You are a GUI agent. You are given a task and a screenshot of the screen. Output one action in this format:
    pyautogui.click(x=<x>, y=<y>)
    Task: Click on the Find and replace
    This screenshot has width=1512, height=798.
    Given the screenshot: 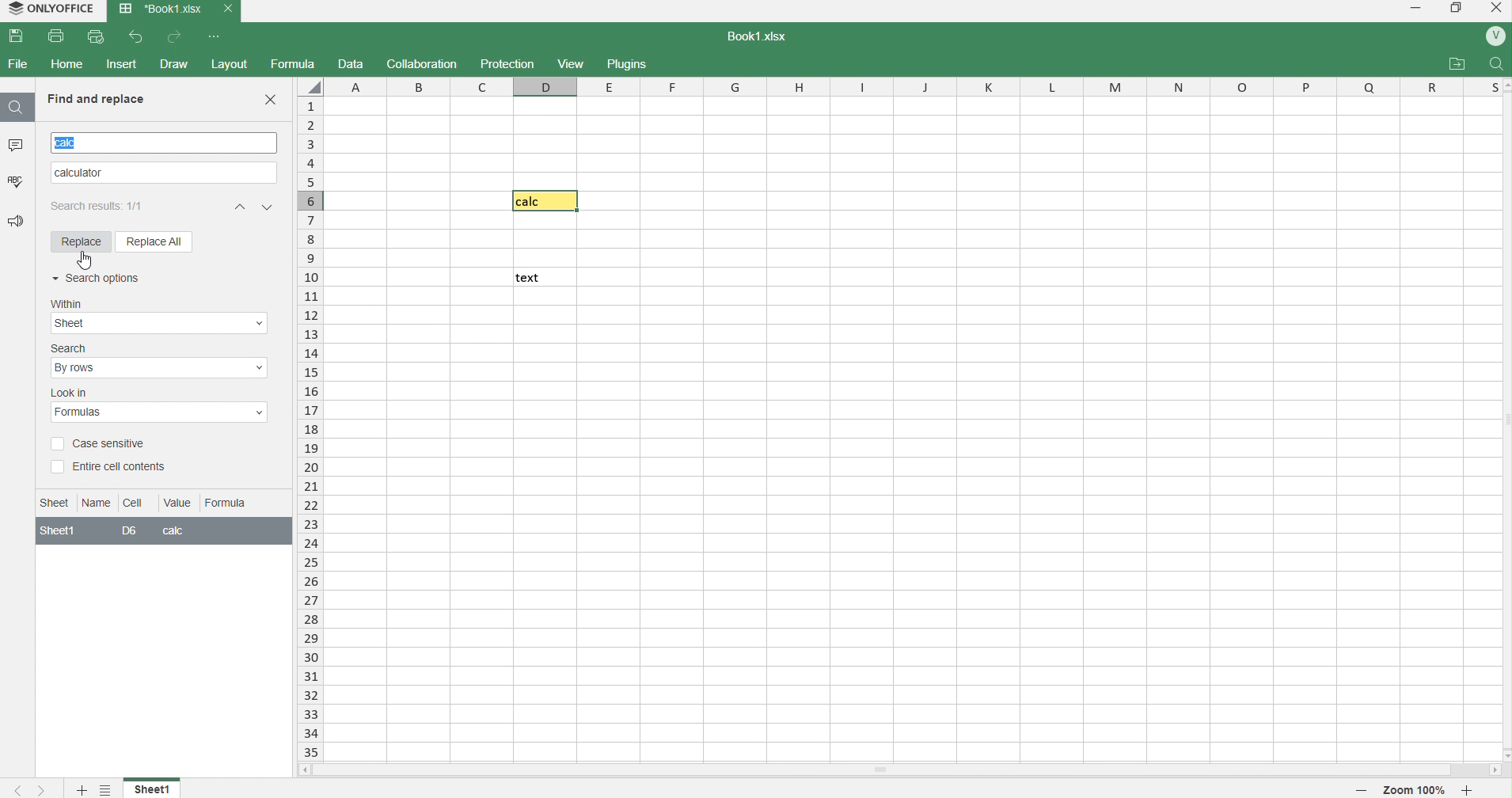 What is the action you would take?
    pyautogui.click(x=95, y=100)
    